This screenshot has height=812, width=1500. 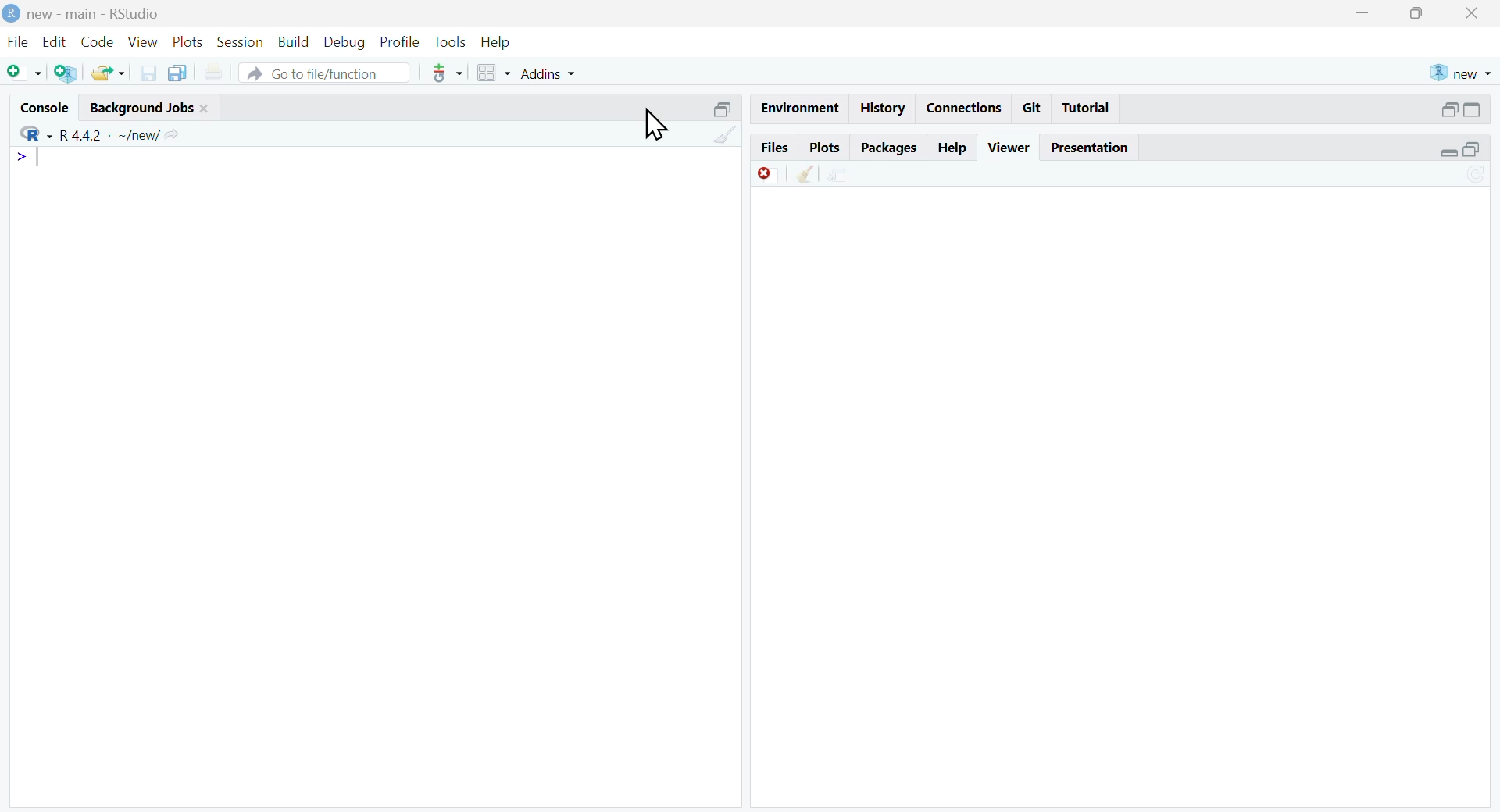 I want to click on Collapse/expand , so click(x=1448, y=152).